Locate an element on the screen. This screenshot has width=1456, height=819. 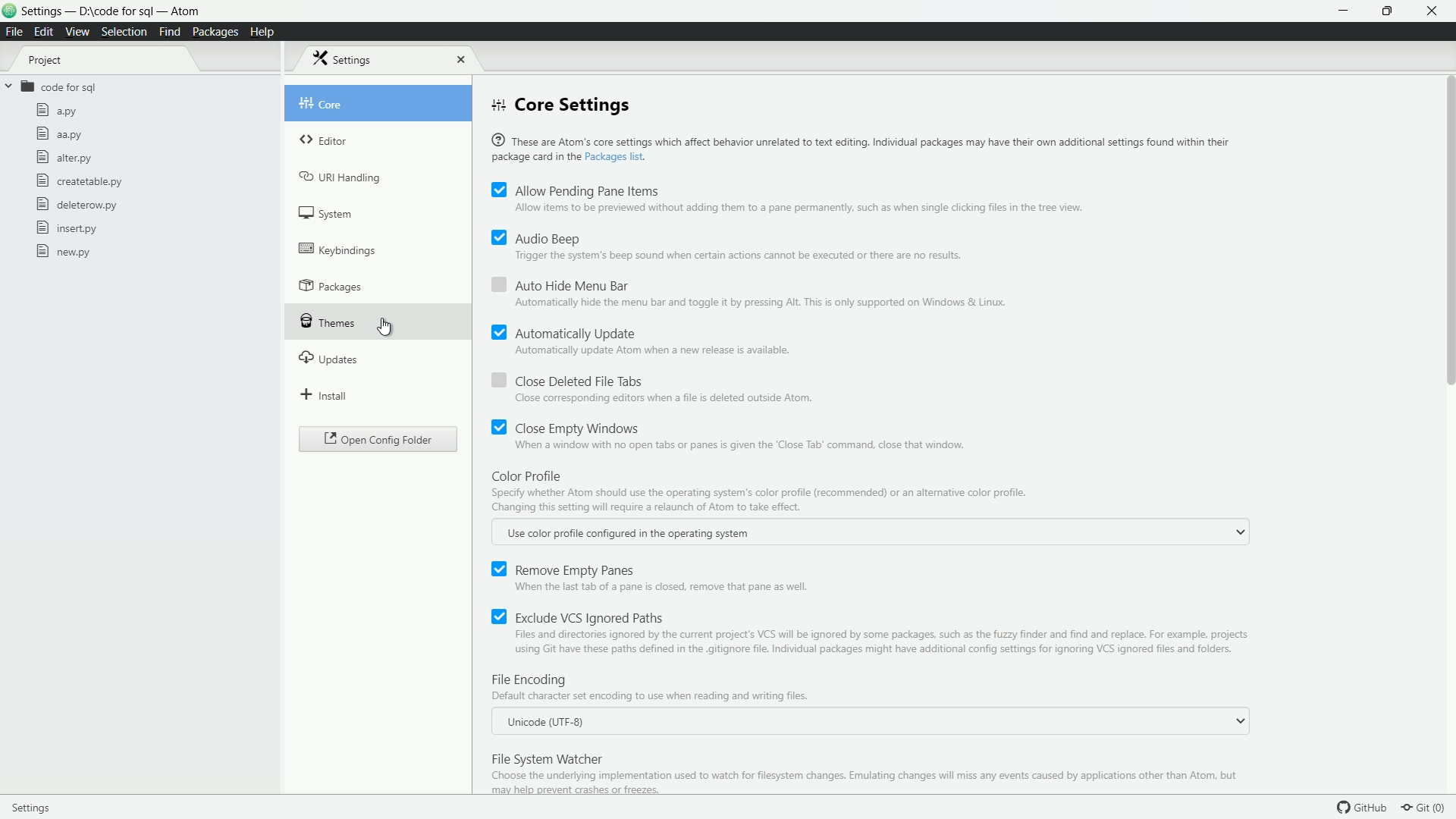
uri handling is located at coordinates (341, 176).